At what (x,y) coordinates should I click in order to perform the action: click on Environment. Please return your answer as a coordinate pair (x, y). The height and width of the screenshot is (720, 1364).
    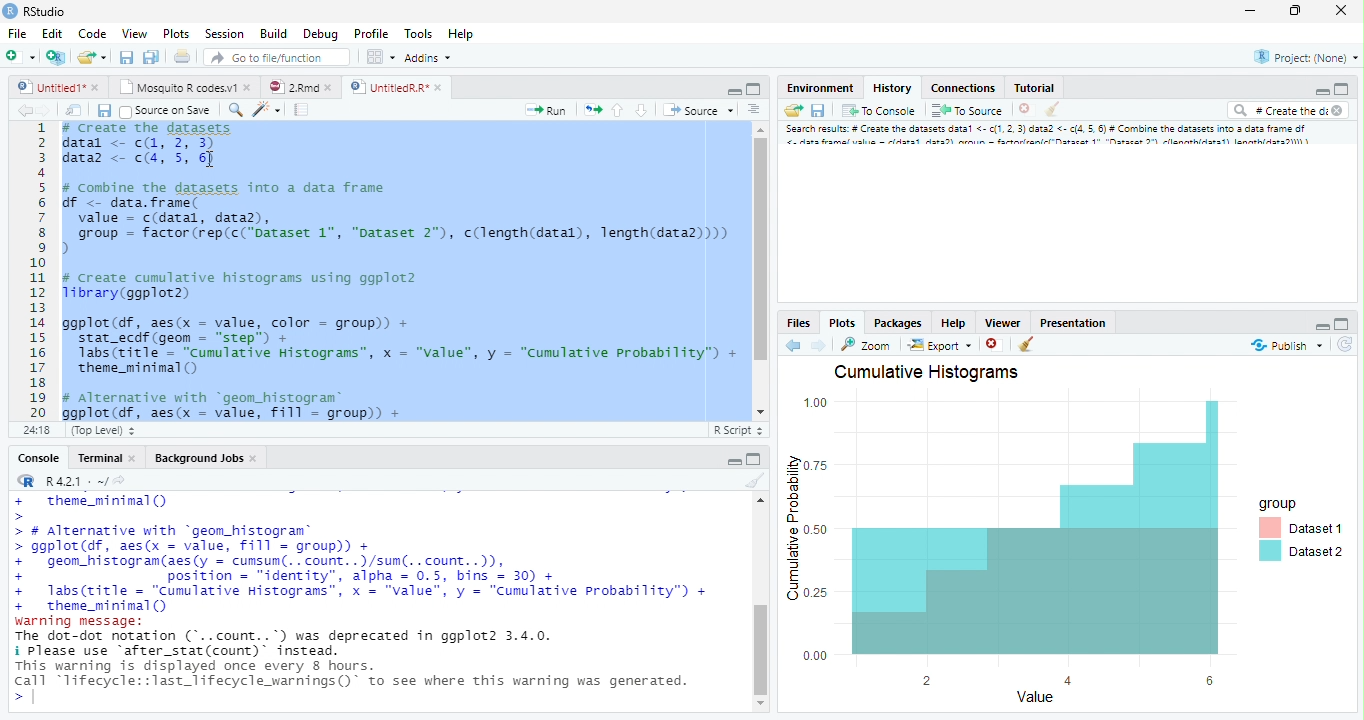
    Looking at the image, I should click on (819, 88).